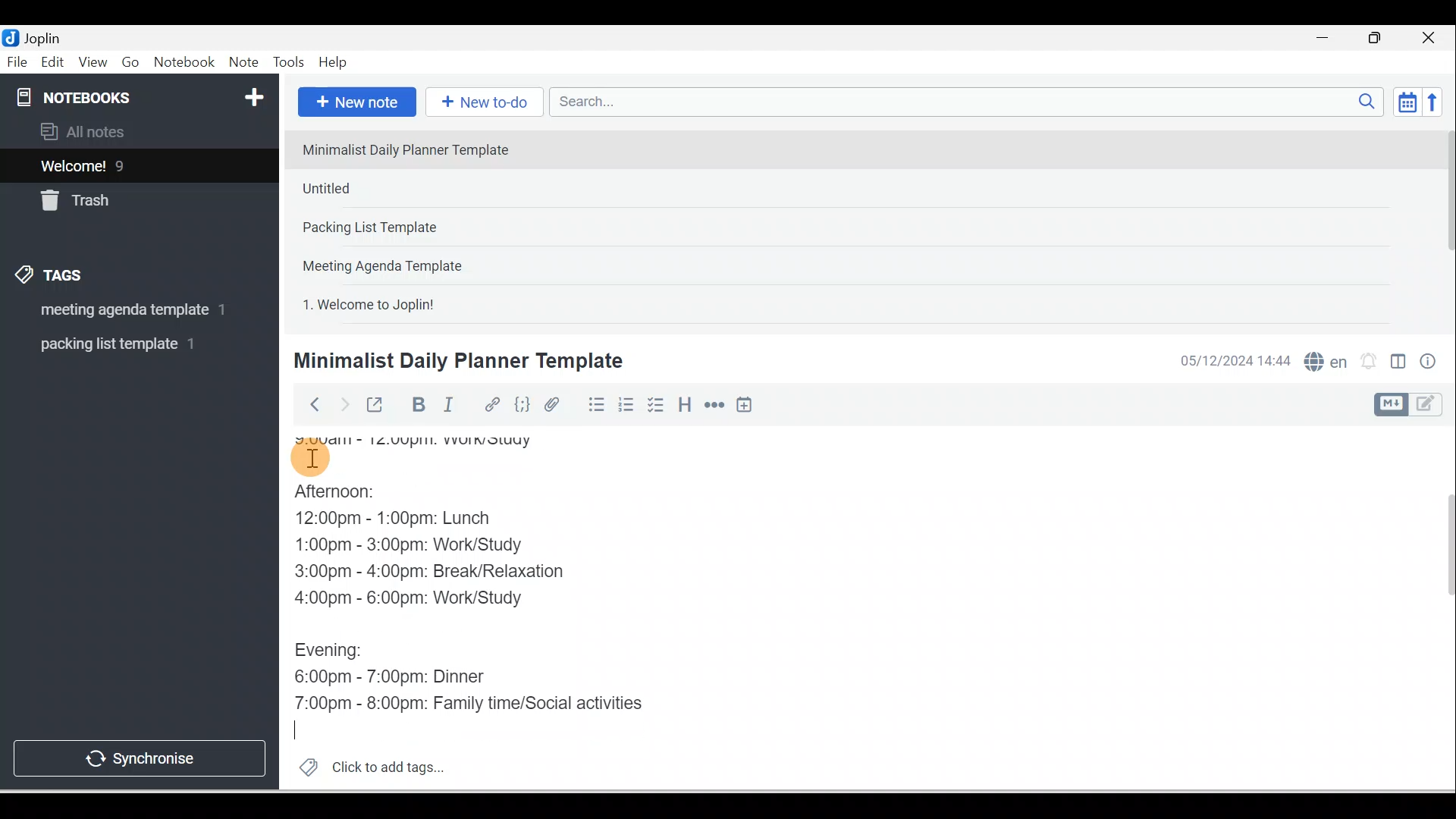 The image size is (1456, 819). What do you see at coordinates (1327, 39) in the screenshot?
I see `Minimise` at bounding box center [1327, 39].